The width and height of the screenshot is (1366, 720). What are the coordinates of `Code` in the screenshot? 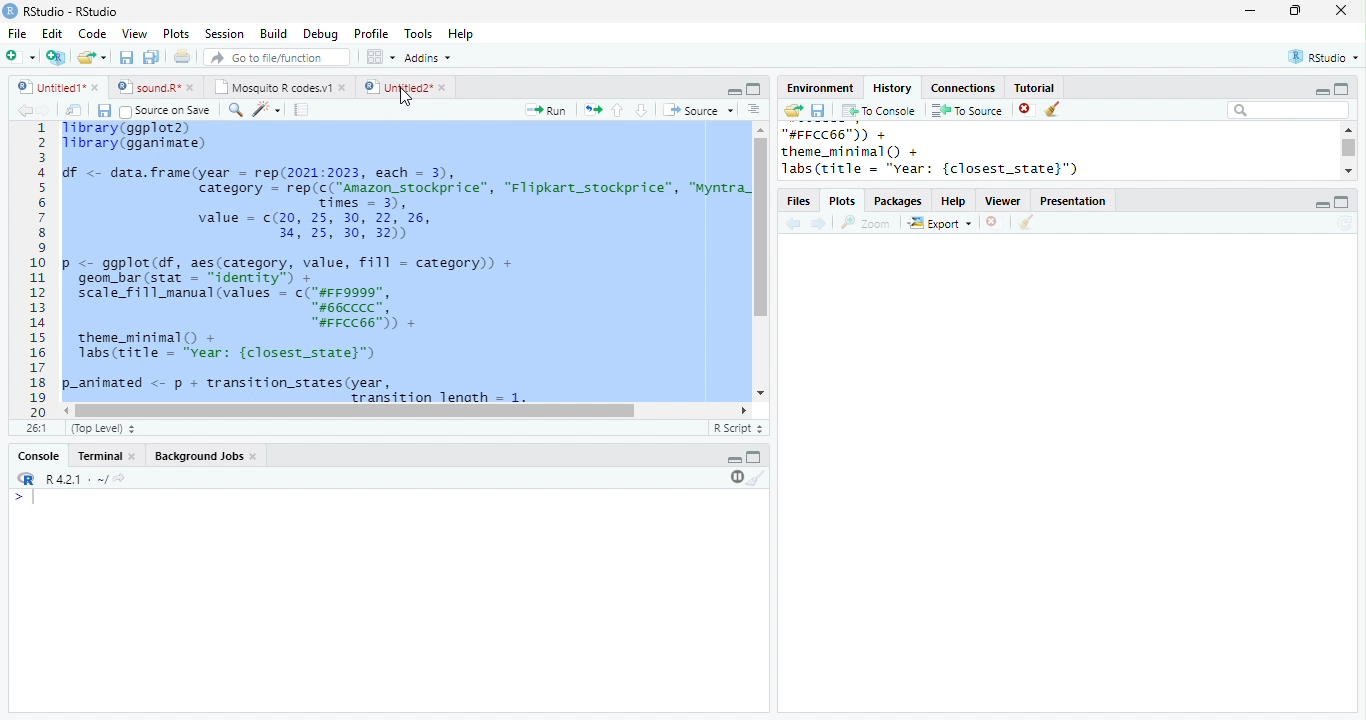 It's located at (93, 33).